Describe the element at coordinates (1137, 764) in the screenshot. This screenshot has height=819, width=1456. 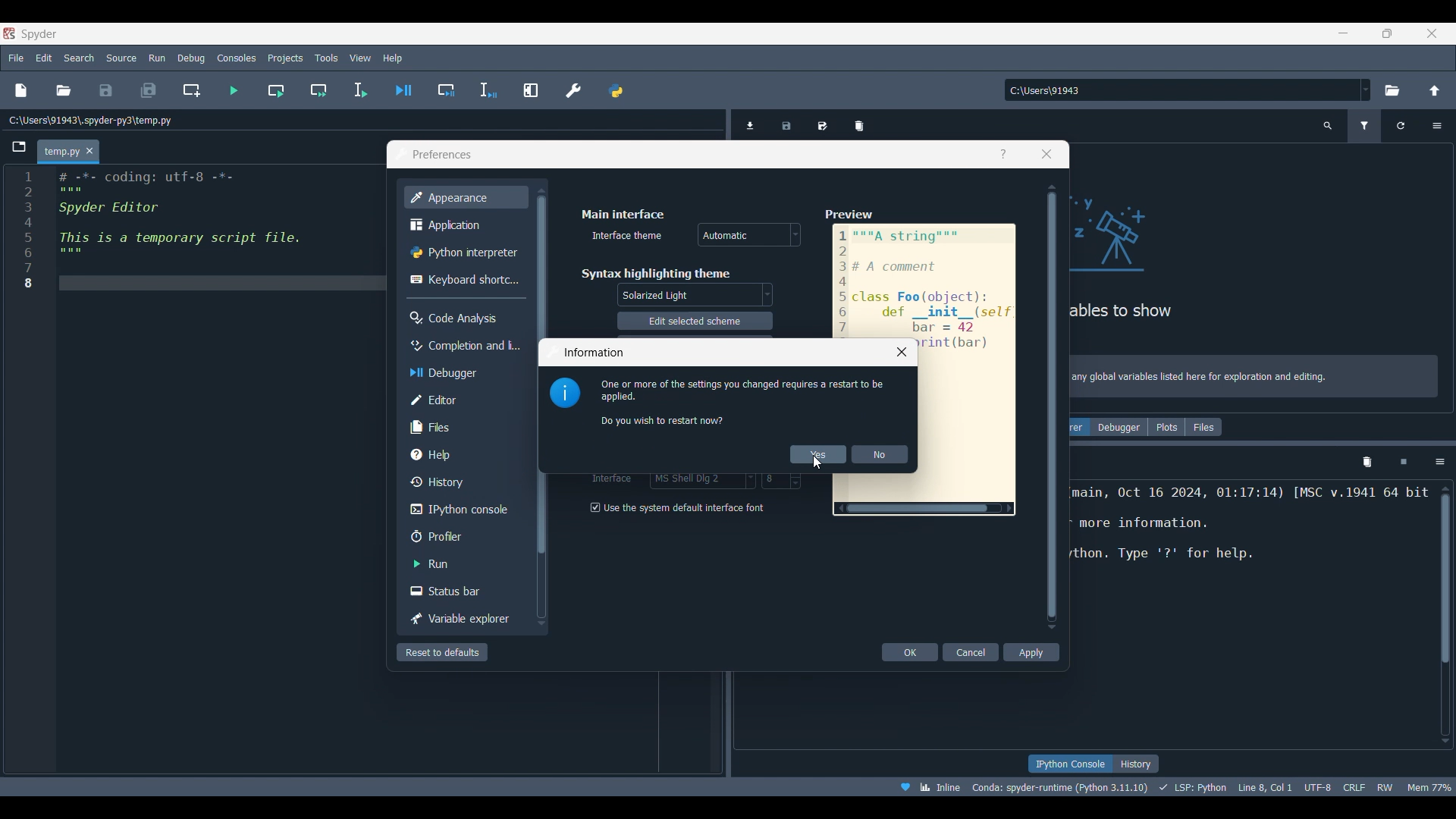
I see `History` at that location.